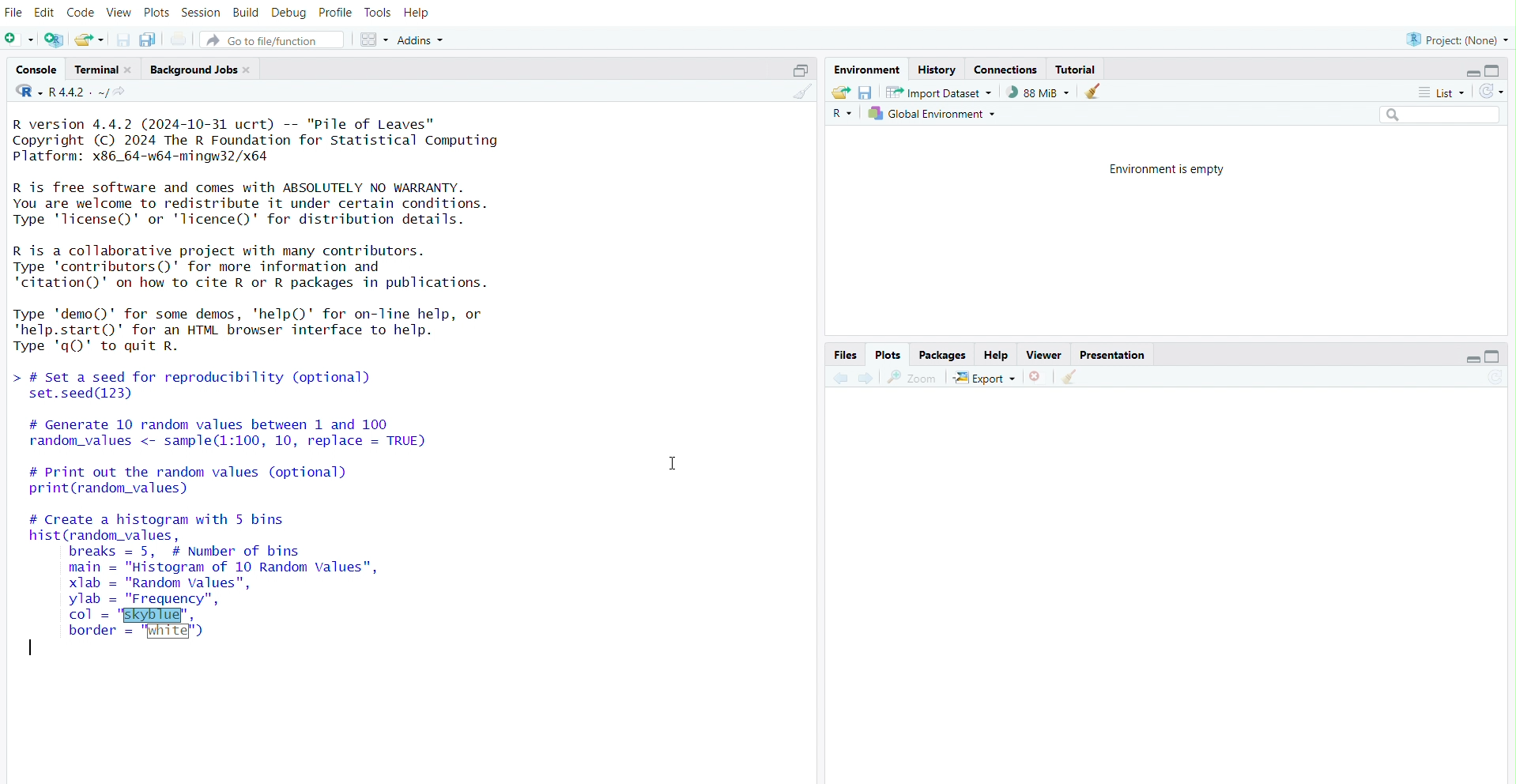 Image resolution: width=1516 pixels, height=784 pixels. I want to click on background jobs, so click(194, 70).